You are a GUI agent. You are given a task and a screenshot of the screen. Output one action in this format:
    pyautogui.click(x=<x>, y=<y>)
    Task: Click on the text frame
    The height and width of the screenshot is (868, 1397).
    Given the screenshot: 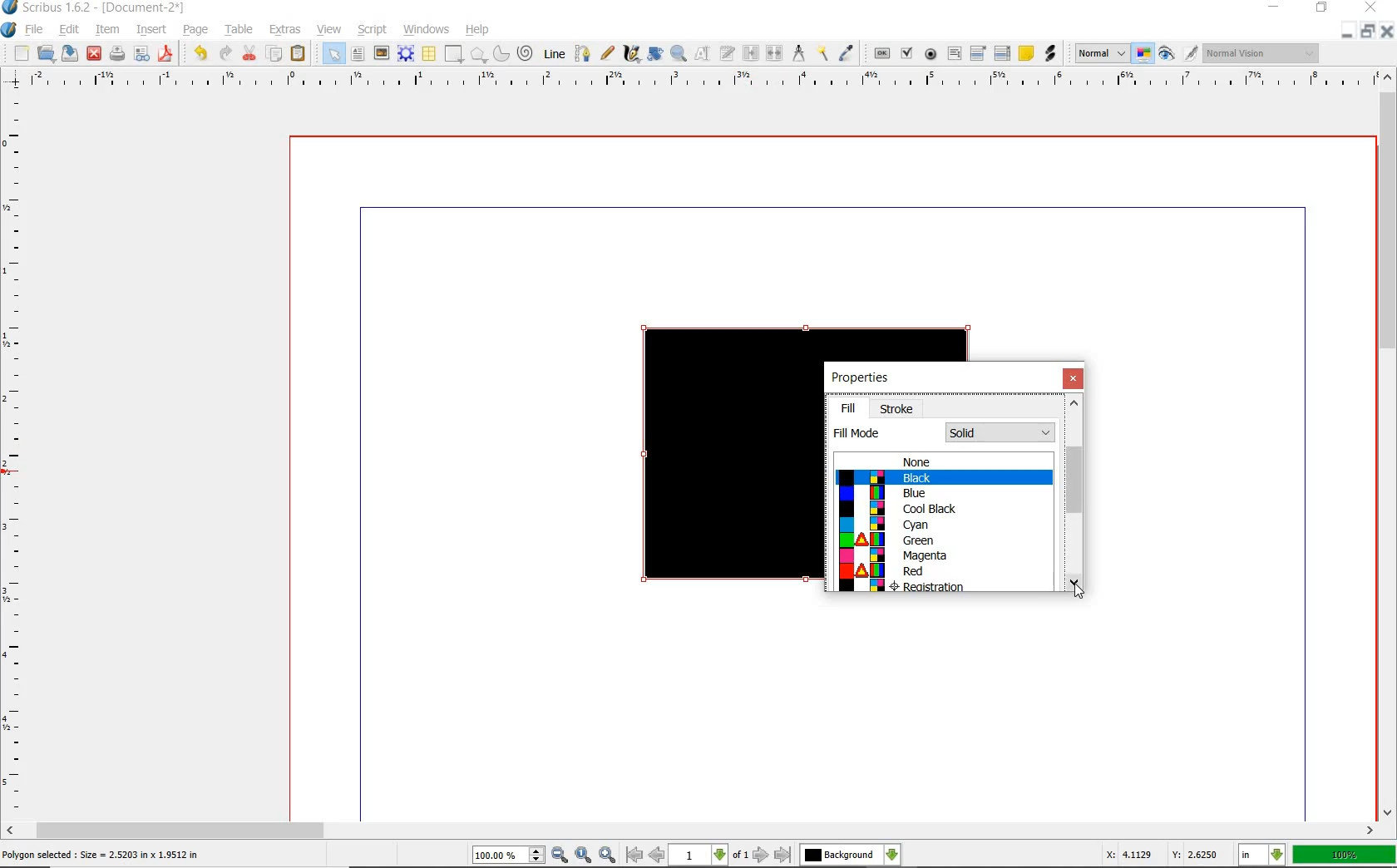 What is the action you would take?
    pyautogui.click(x=360, y=53)
    